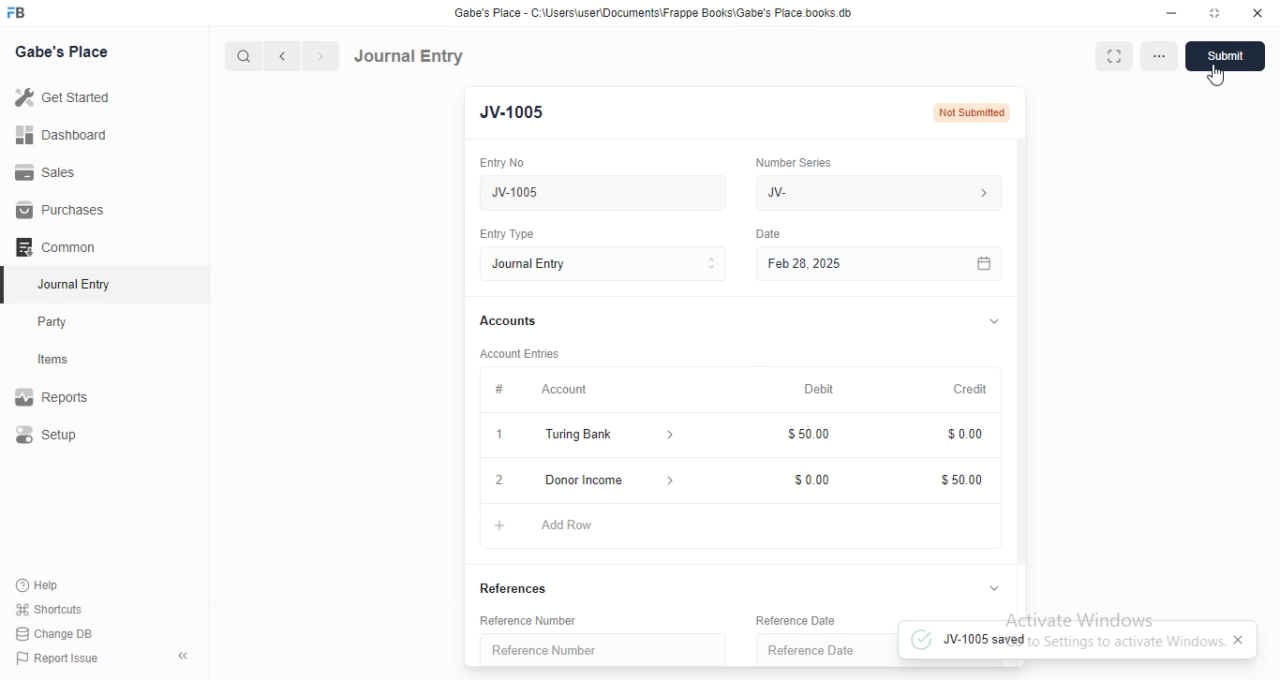 This screenshot has height=680, width=1280. What do you see at coordinates (62, 609) in the screenshot?
I see `‘Shortcuts` at bounding box center [62, 609].